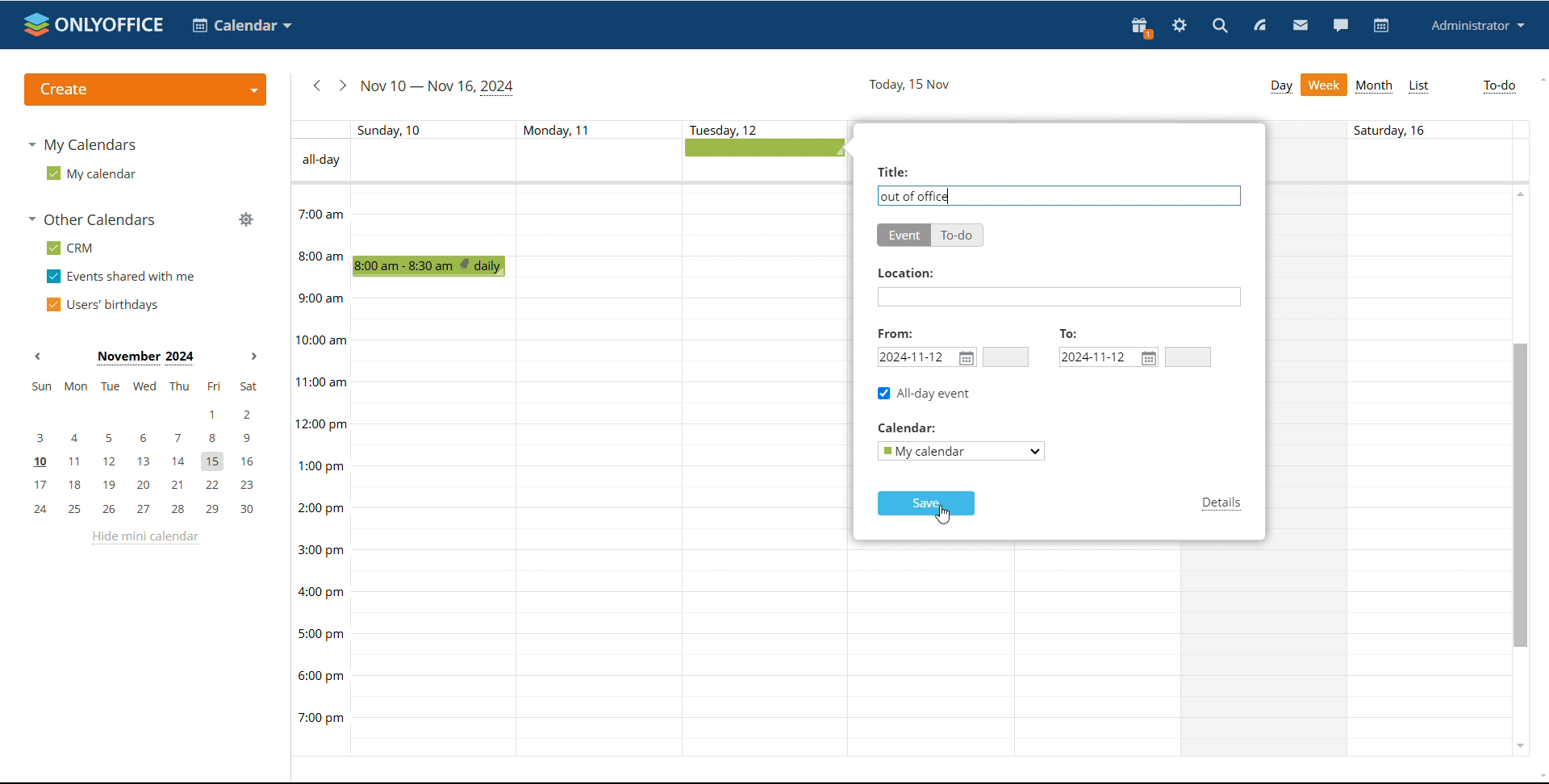 This screenshot has height=784, width=1549. Describe the element at coordinates (39, 356) in the screenshot. I see `previous month` at that location.